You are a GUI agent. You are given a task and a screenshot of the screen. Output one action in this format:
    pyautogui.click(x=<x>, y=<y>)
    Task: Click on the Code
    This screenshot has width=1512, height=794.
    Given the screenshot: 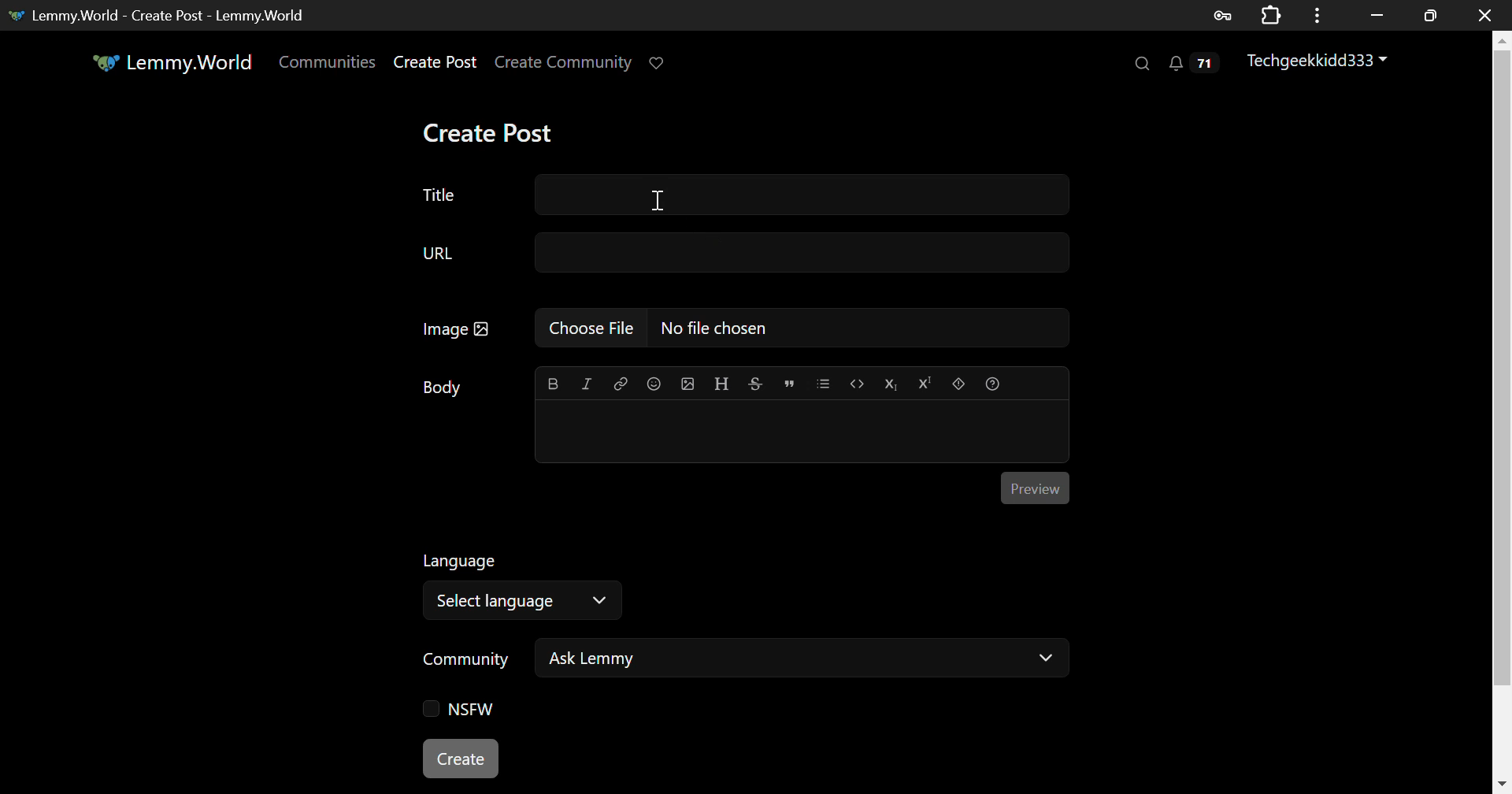 What is the action you would take?
    pyautogui.click(x=856, y=384)
    